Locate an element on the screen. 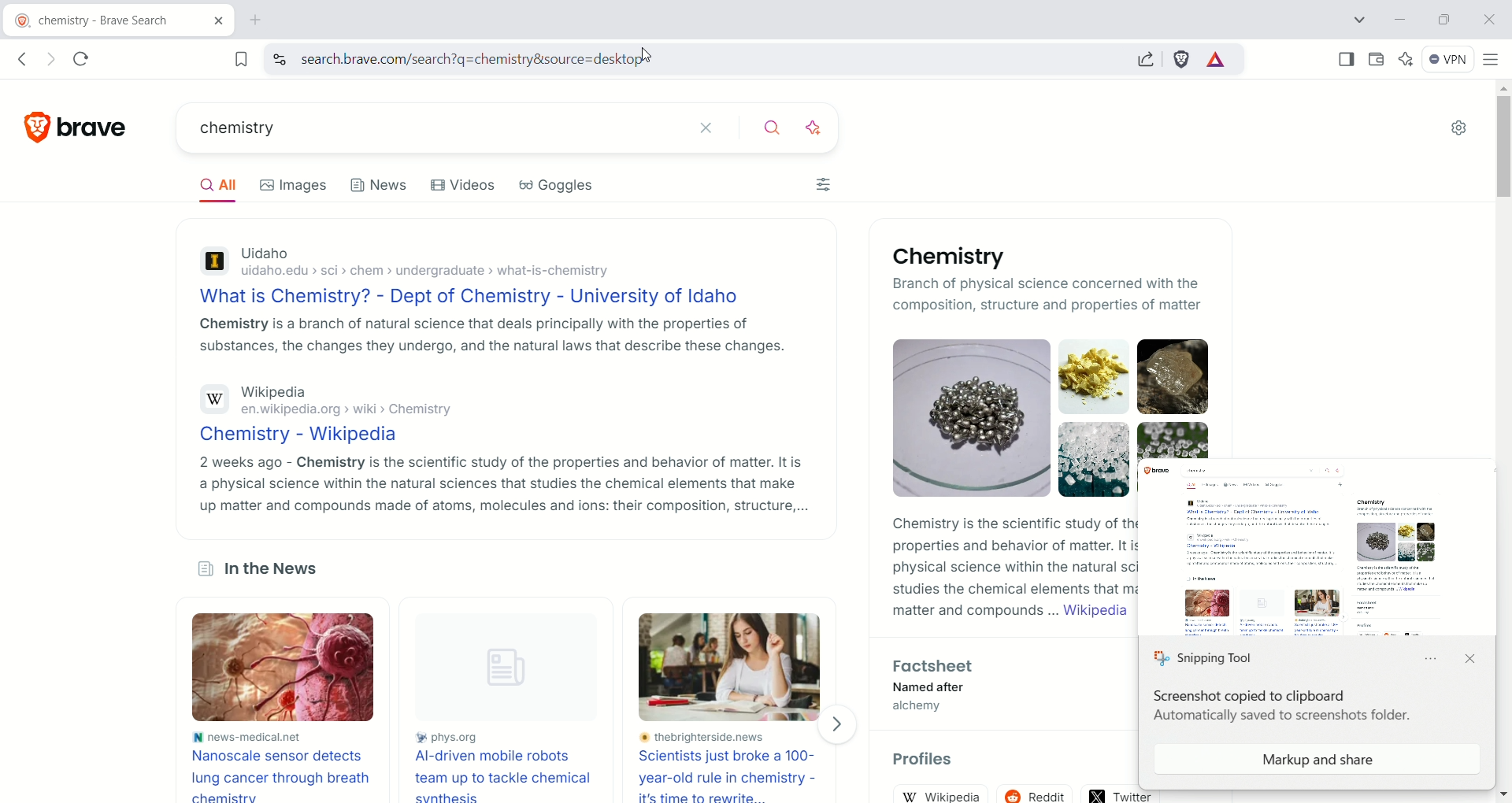  twitter is located at coordinates (1134, 791).